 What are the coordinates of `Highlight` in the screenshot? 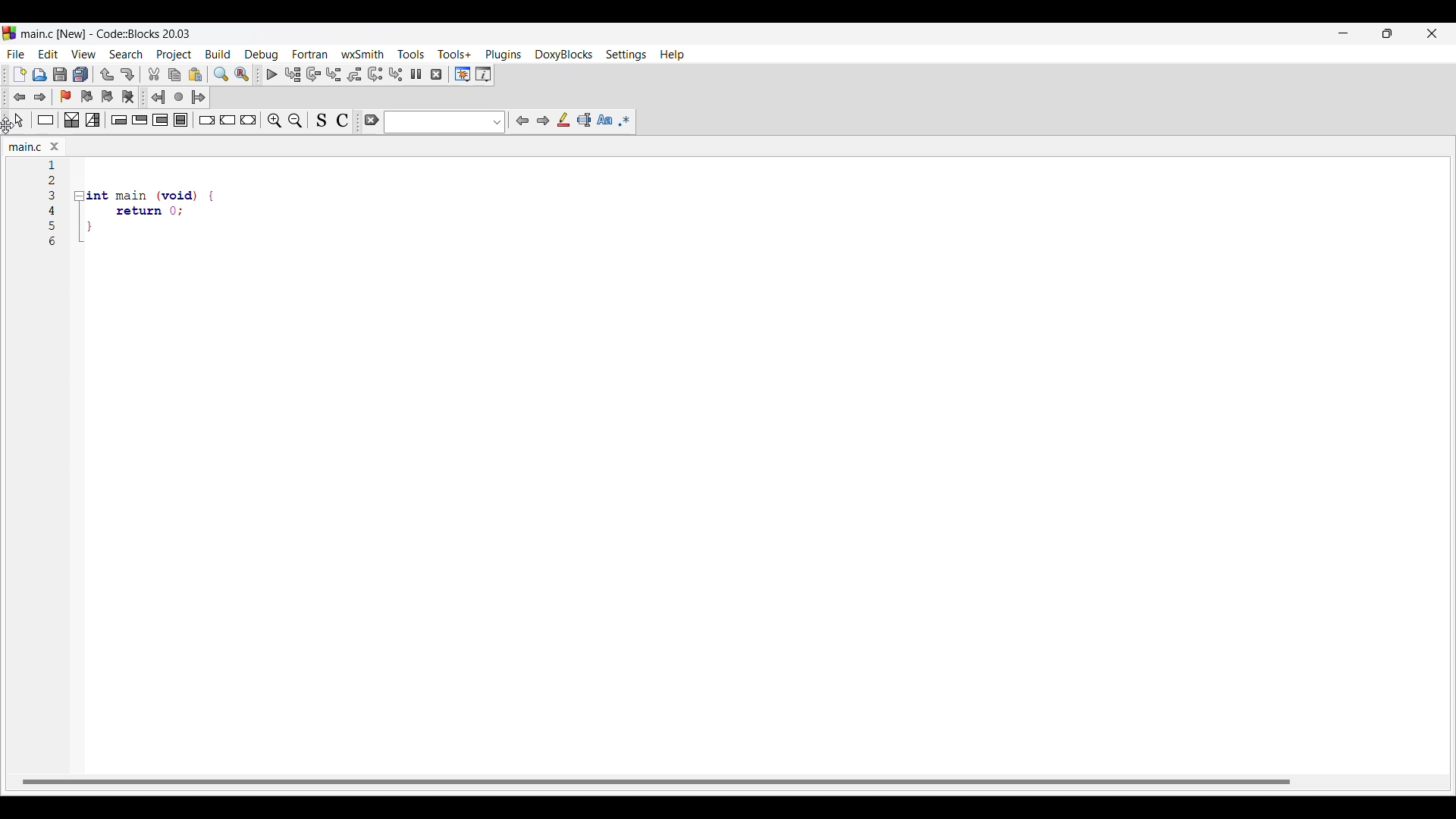 It's located at (563, 120).